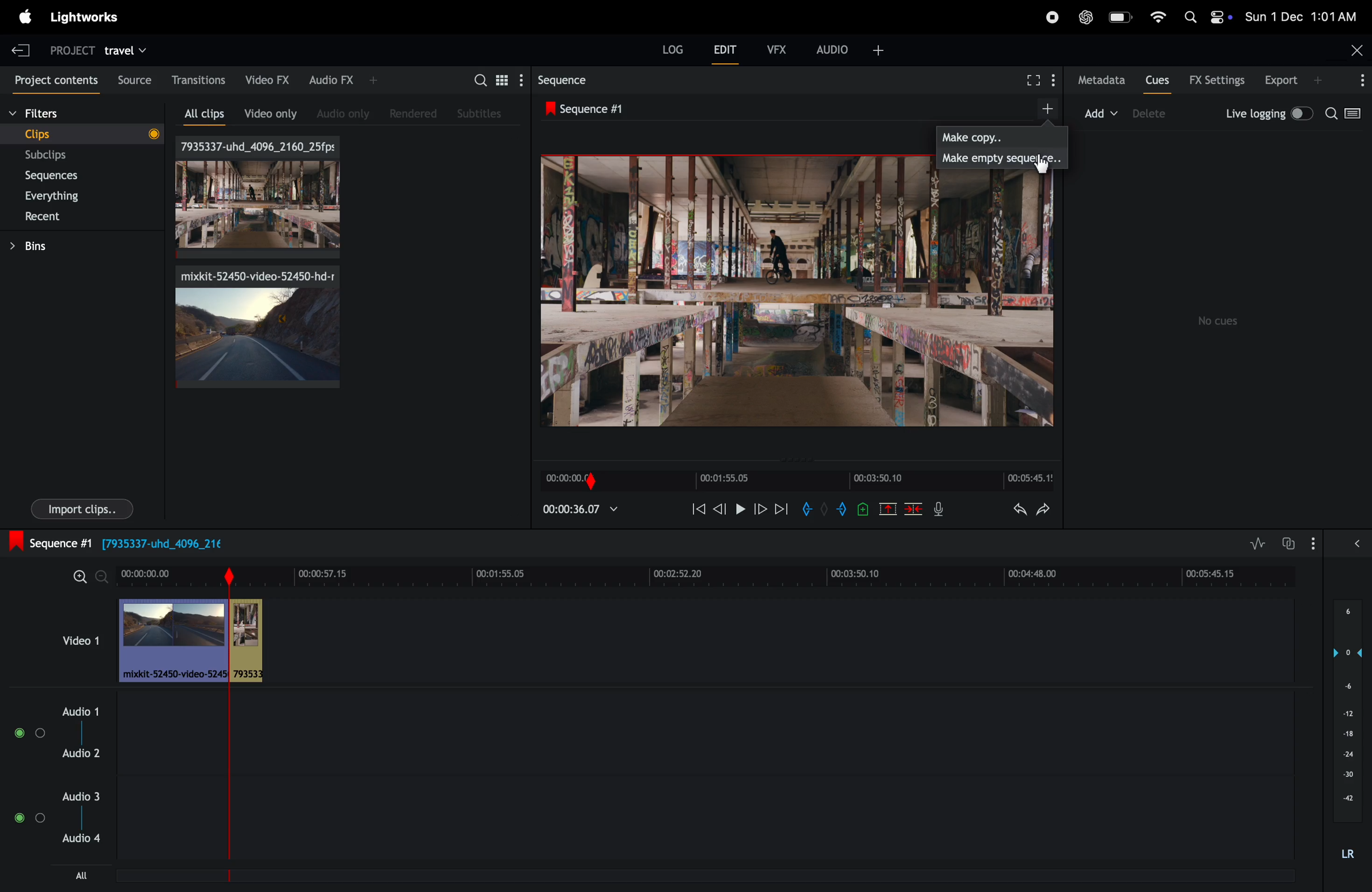 The width and height of the screenshot is (1372, 892). I want to click on edit, so click(725, 49).